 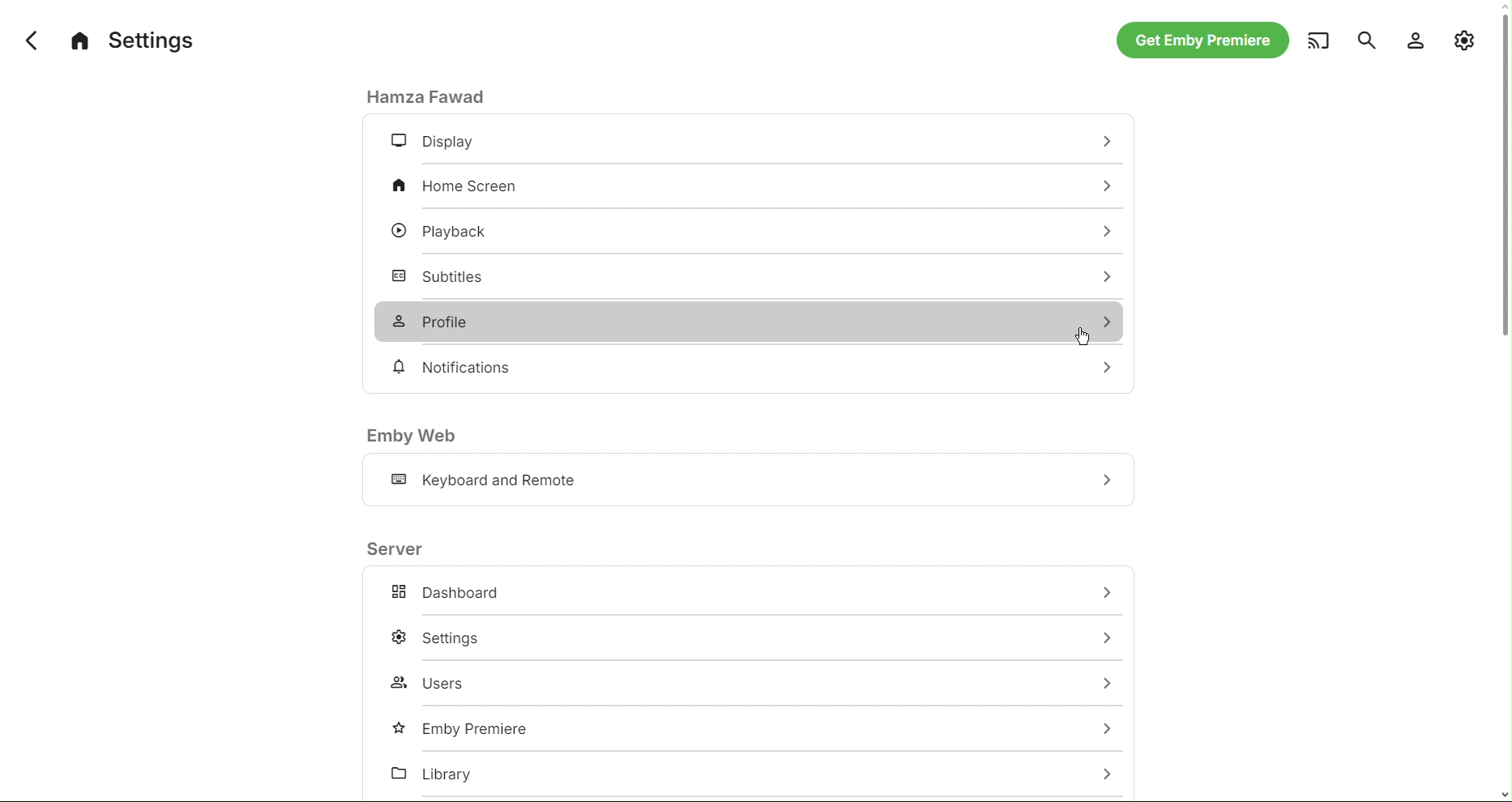 I want to click on Playback, so click(x=445, y=228).